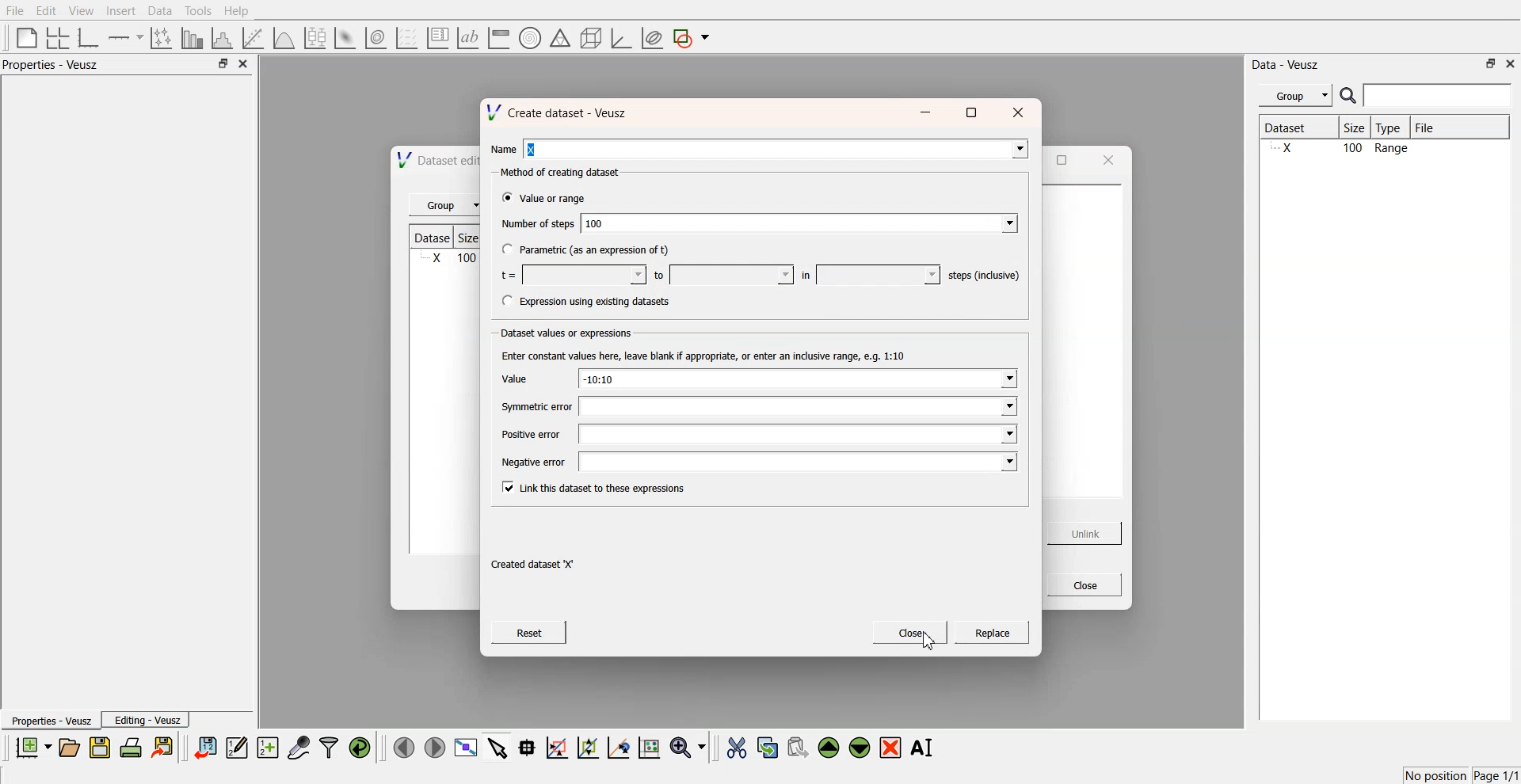 The image size is (1521, 784). What do you see at coordinates (1086, 534) in the screenshot?
I see `Unlink` at bounding box center [1086, 534].